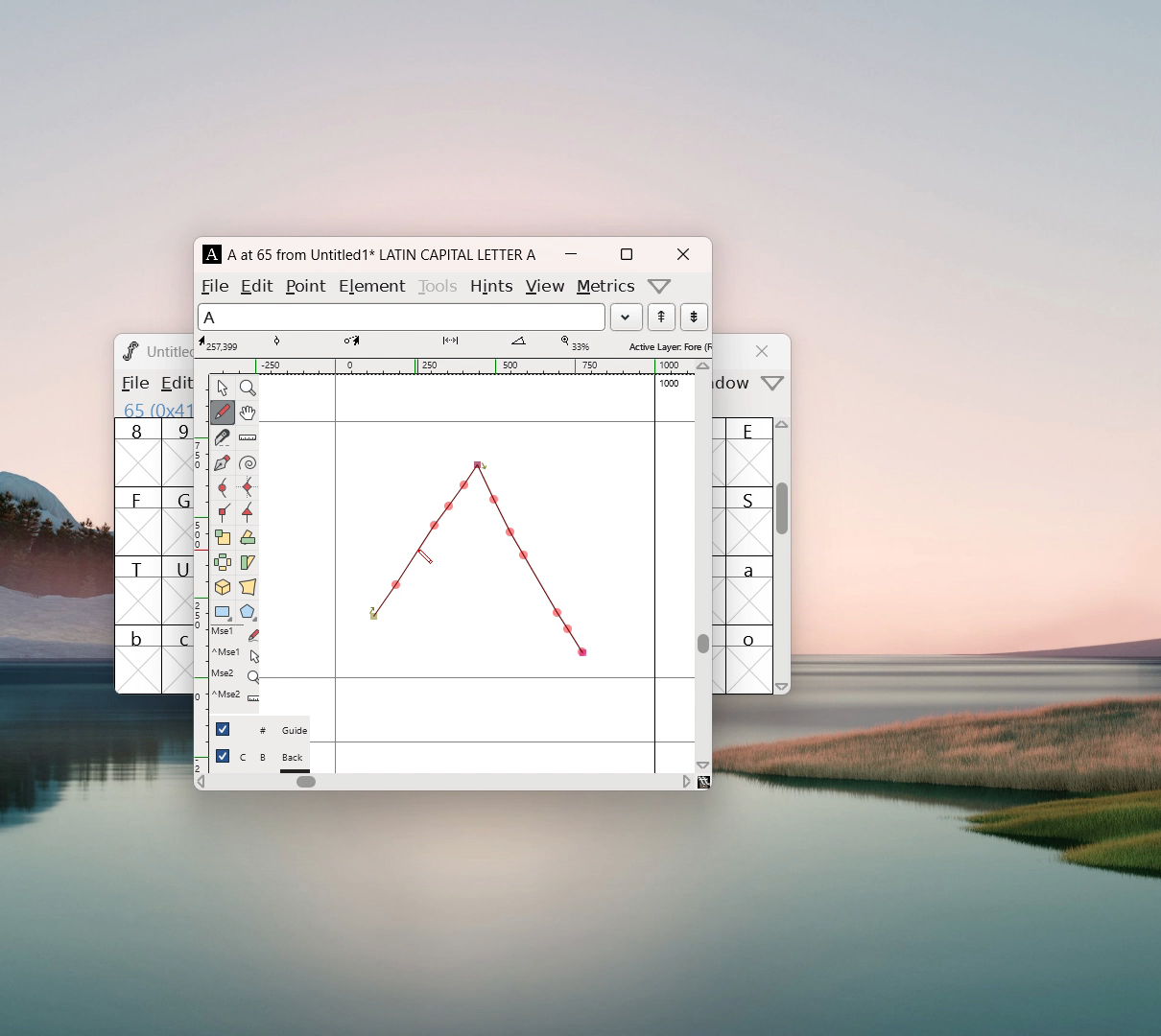 The image size is (1161, 1036). What do you see at coordinates (306, 782) in the screenshot?
I see `horizontal scrollbar` at bounding box center [306, 782].